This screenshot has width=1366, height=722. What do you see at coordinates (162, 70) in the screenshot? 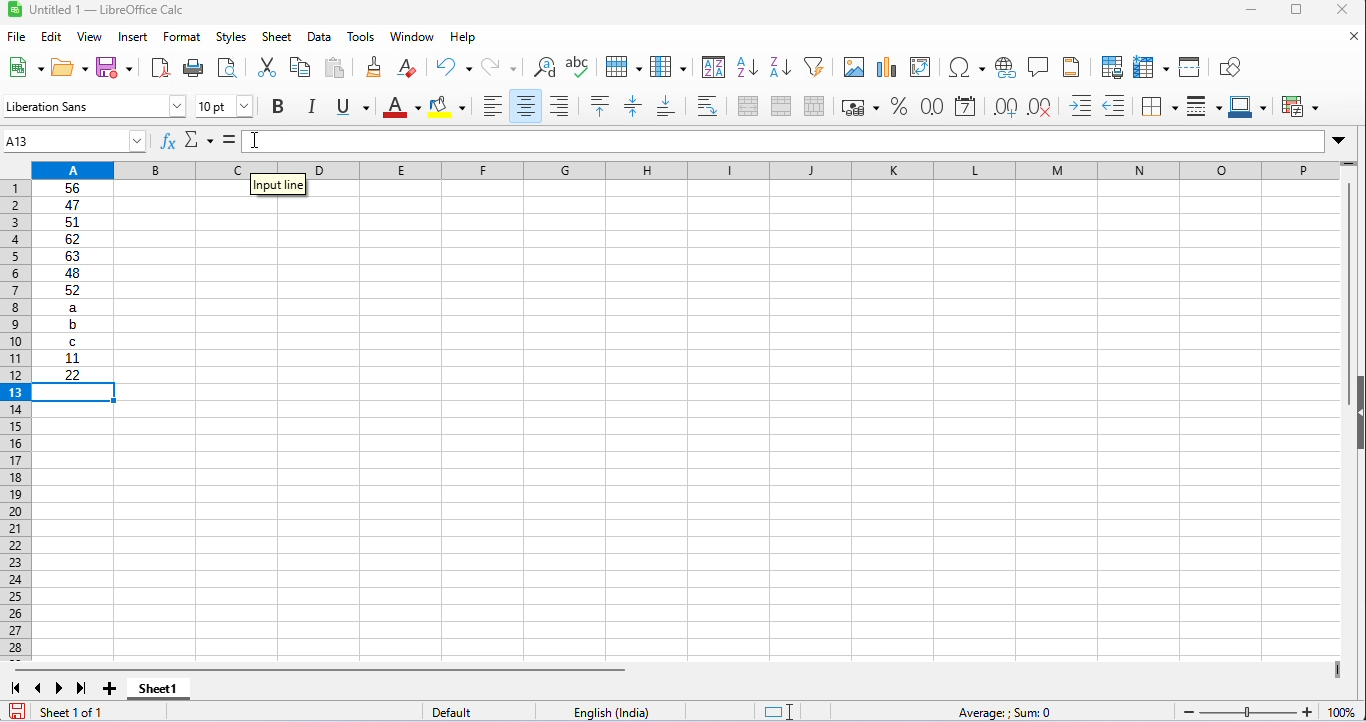
I see `export as pdf` at bounding box center [162, 70].